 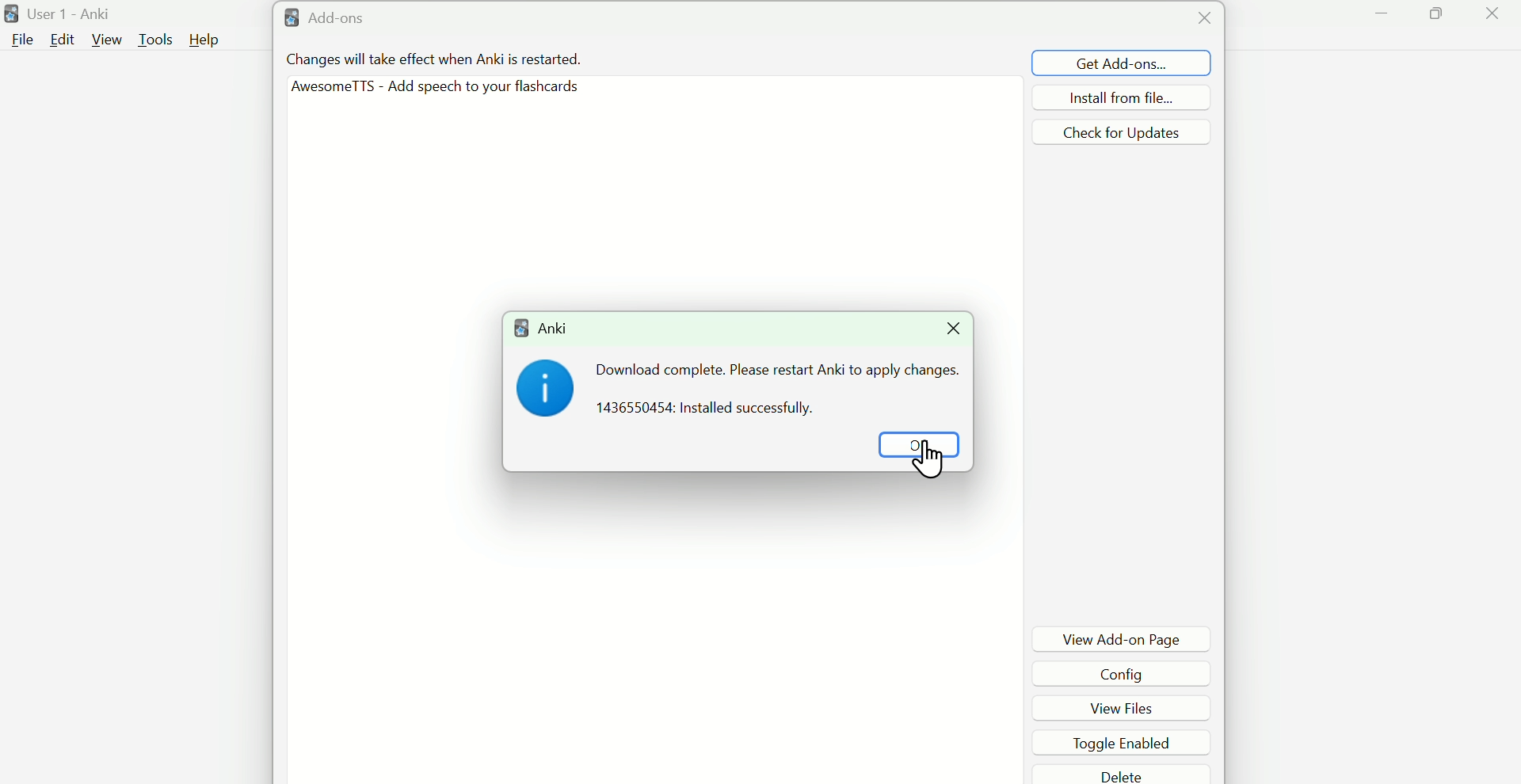 What do you see at coordinates (350, 20) in the screenshot?
I see `& Add-ons` at bounding box center [350, 20].